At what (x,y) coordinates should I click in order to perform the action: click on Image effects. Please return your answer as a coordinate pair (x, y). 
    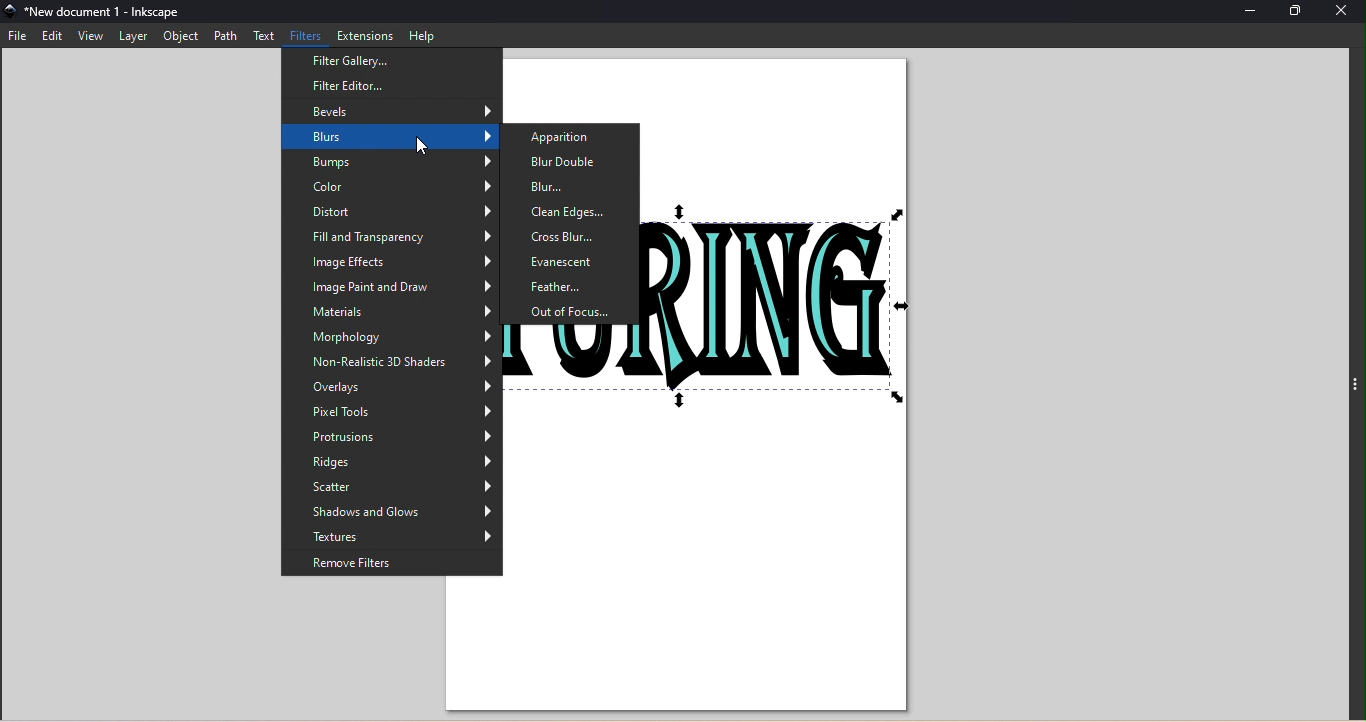
    Looking at the image, I should click on (392, 263).